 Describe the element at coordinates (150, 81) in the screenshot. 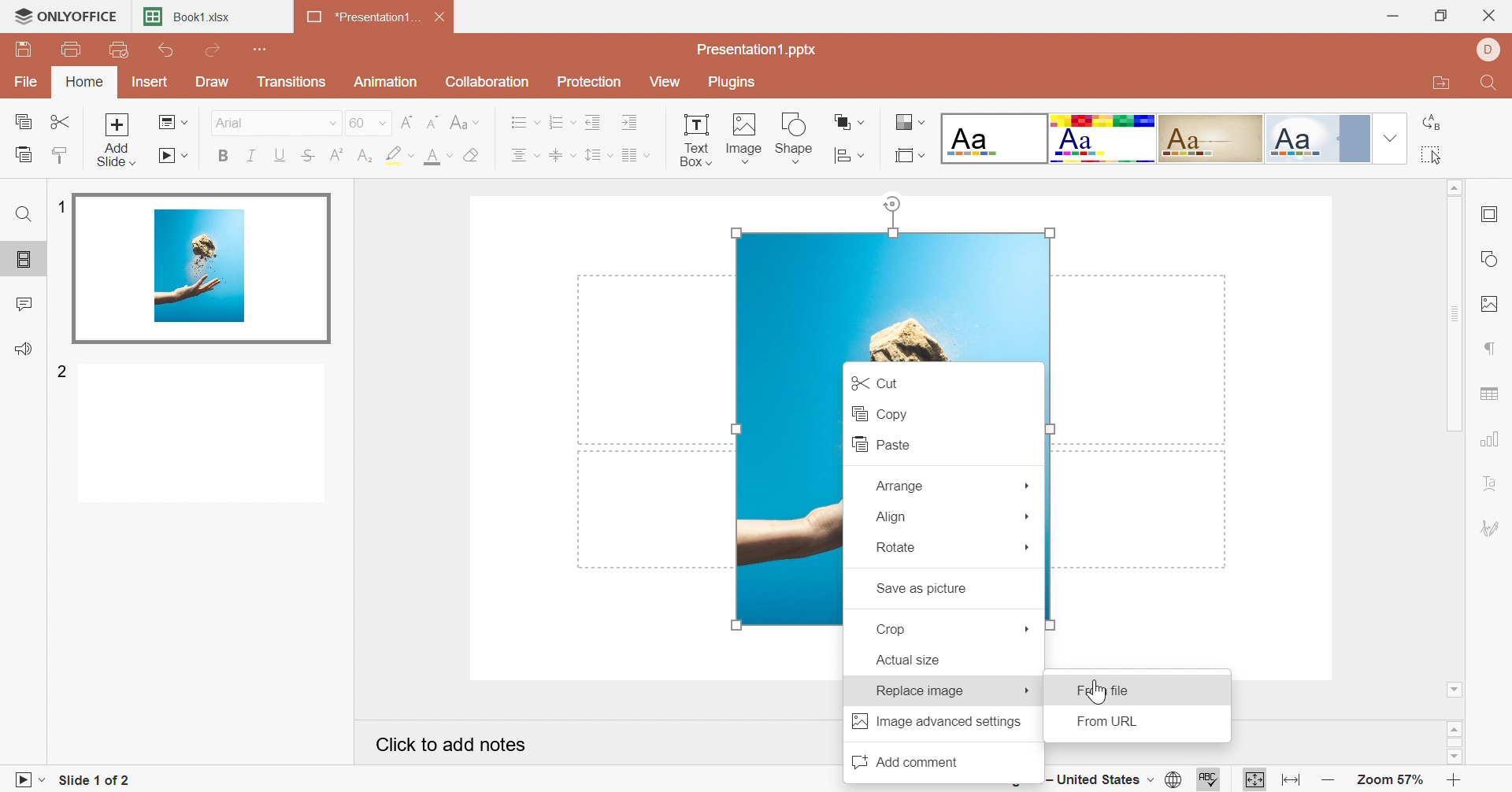

I see `Insert` at that location.